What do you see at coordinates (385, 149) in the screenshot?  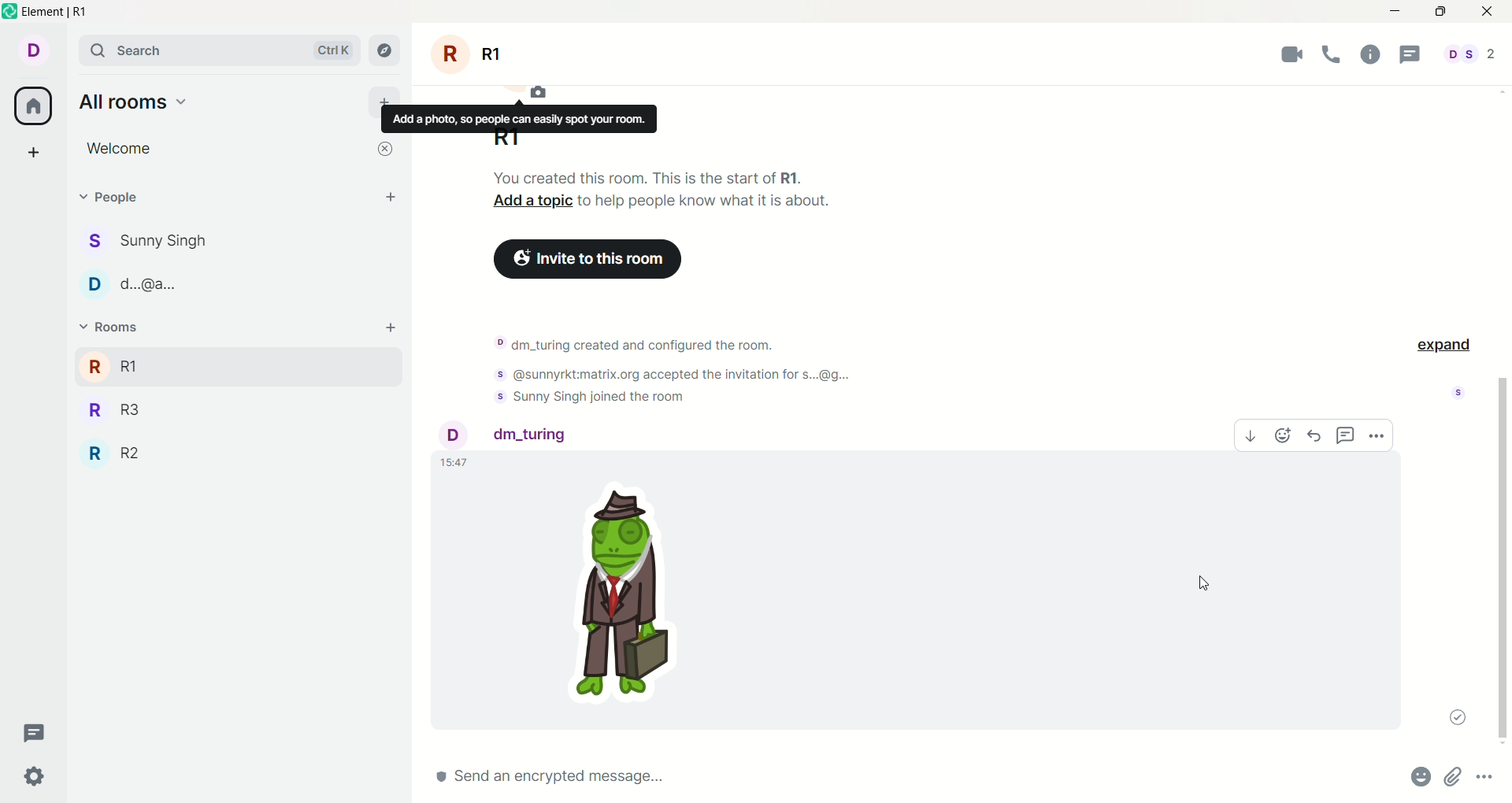 I see `close` at bounding box center [385, 149].